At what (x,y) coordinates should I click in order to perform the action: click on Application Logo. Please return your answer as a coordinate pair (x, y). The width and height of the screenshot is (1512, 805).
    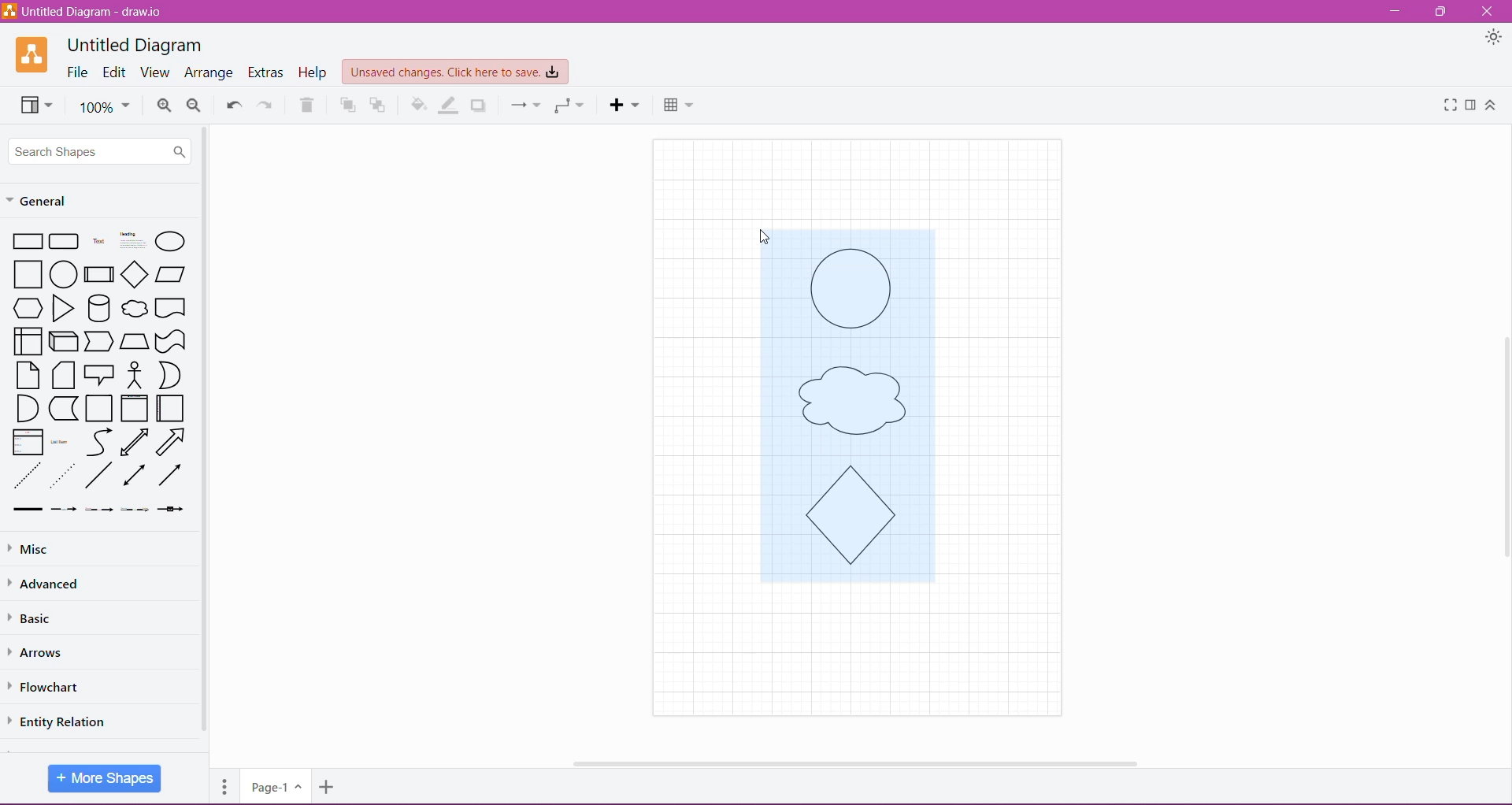
    Looking at the image, I should click on (33, 54).